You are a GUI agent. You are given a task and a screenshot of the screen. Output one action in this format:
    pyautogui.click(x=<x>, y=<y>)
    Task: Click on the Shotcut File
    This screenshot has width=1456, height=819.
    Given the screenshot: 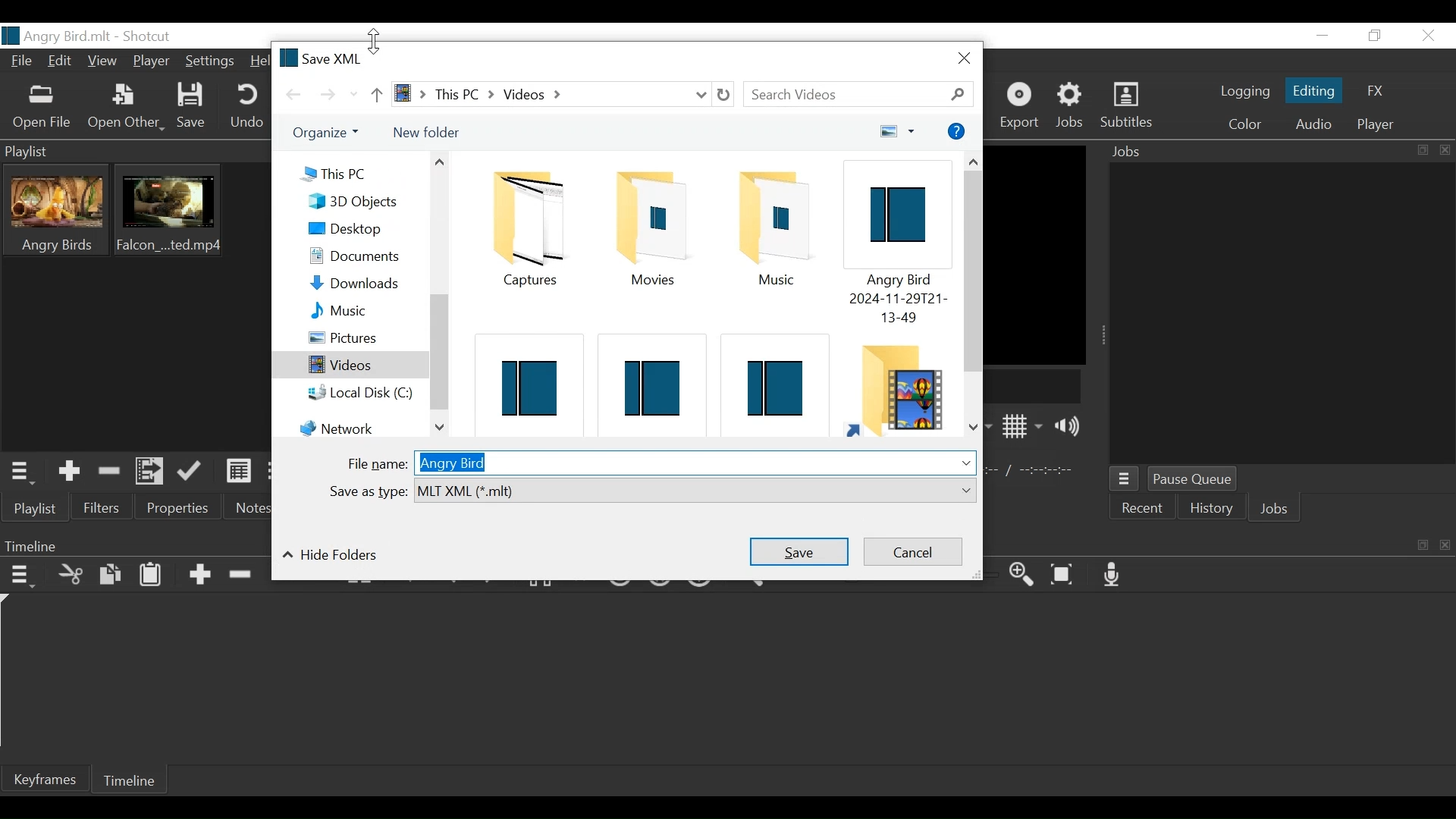 What is the action you would take?
    pyautogui.click(x=526, y=379)
    